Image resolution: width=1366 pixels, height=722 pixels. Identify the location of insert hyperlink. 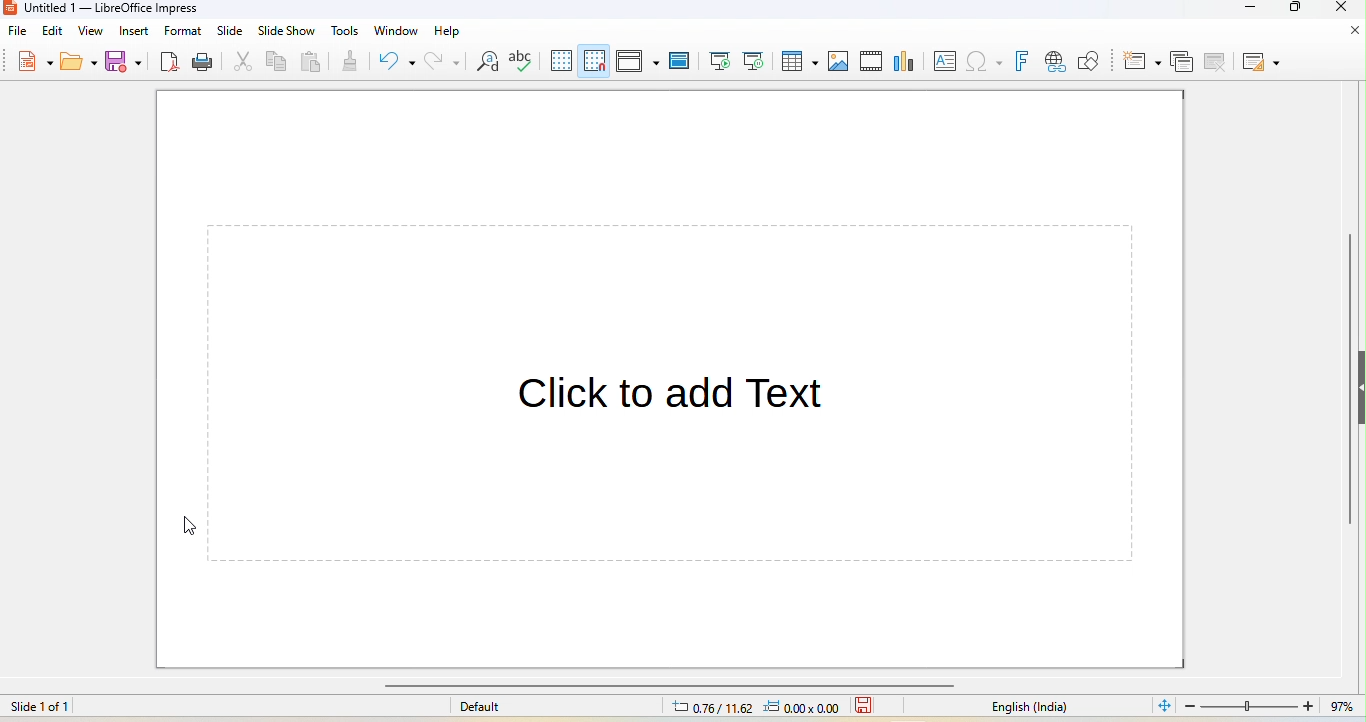
(1055, 61).